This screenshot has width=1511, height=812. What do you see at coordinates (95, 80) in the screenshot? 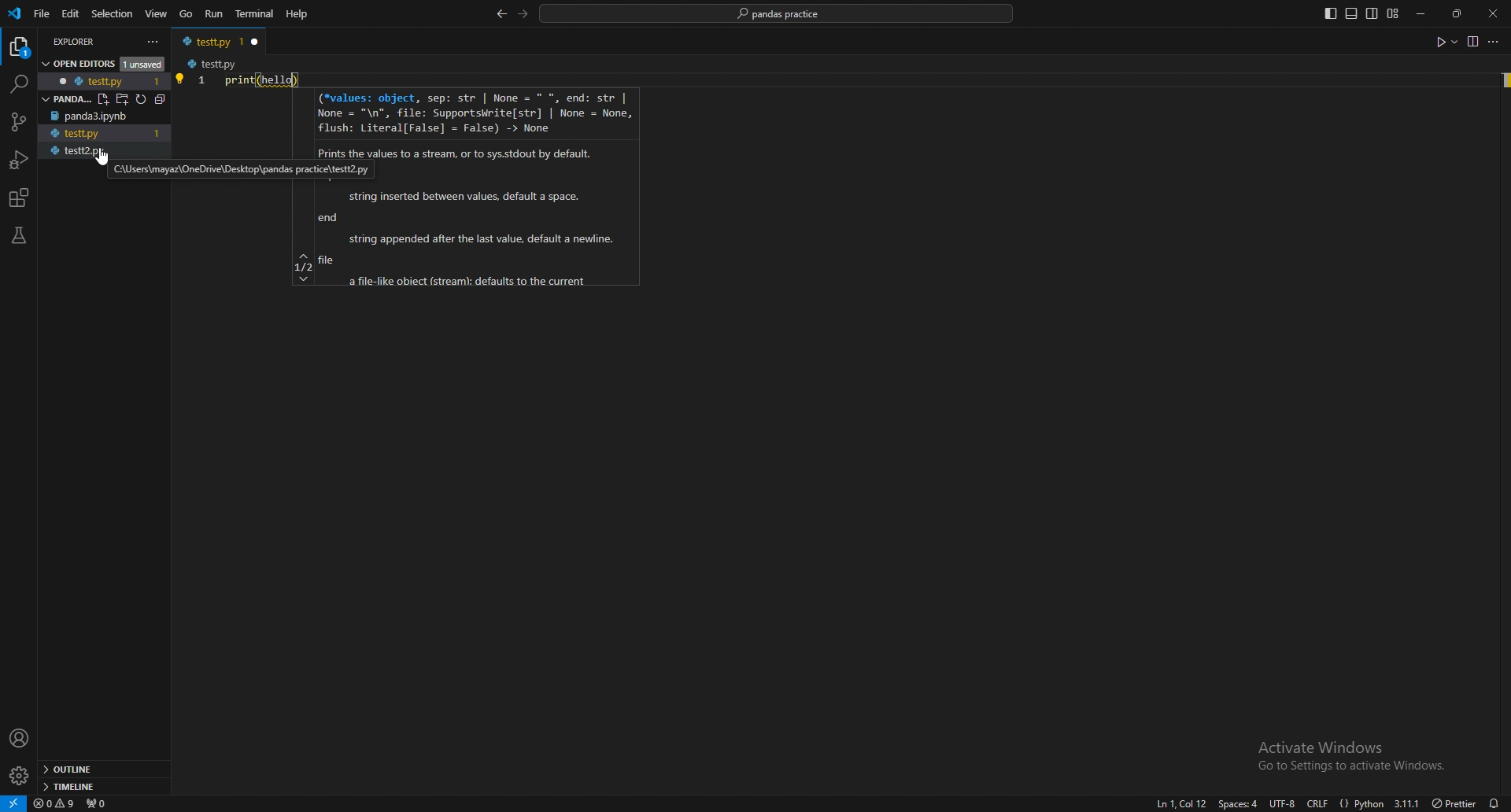
I see `testt.py` at bounding box center [95, 80].